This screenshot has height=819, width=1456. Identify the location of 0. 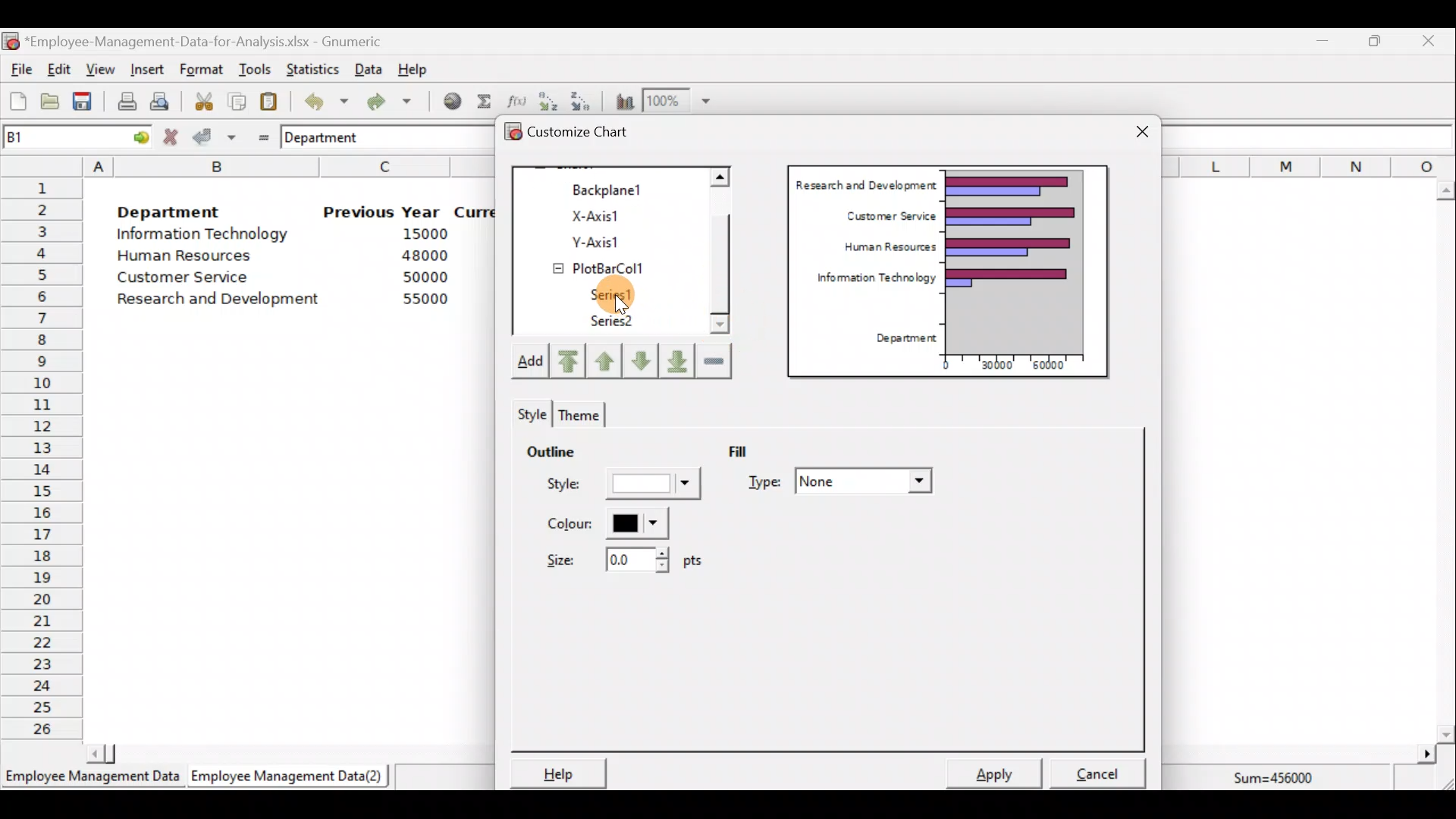
(946, 365).